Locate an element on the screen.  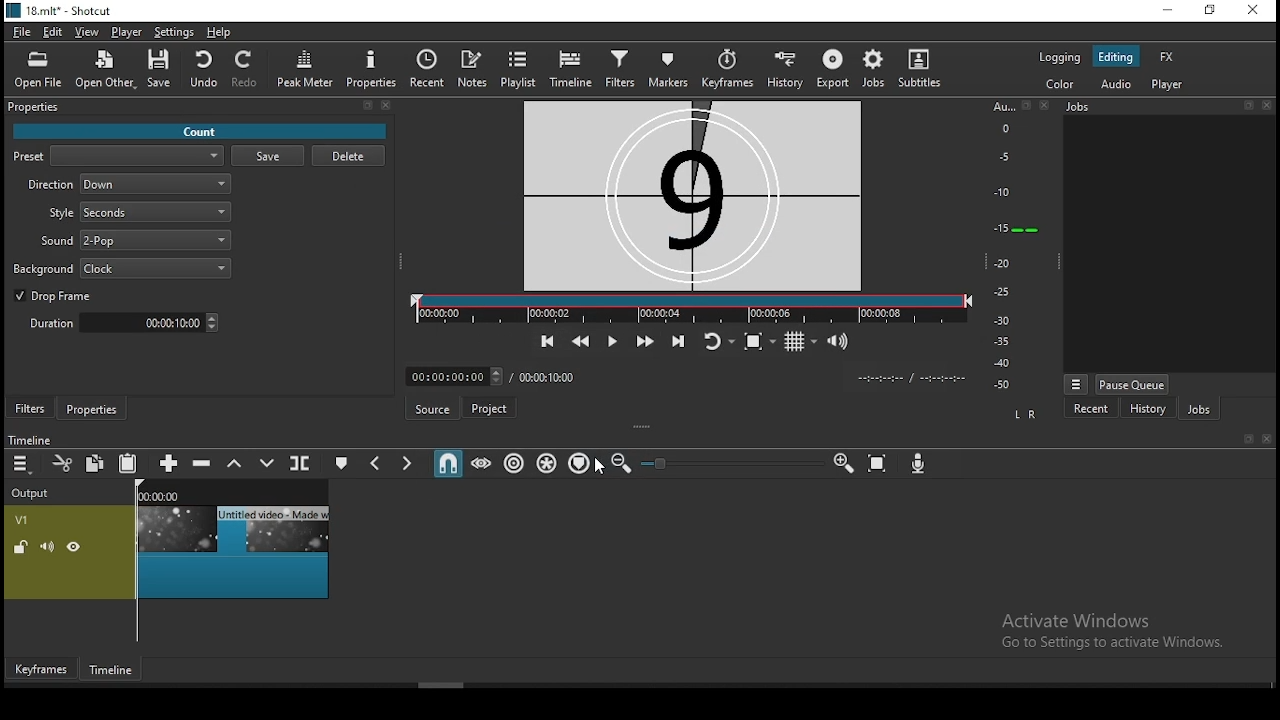
export is located at coordinates (832, 67).